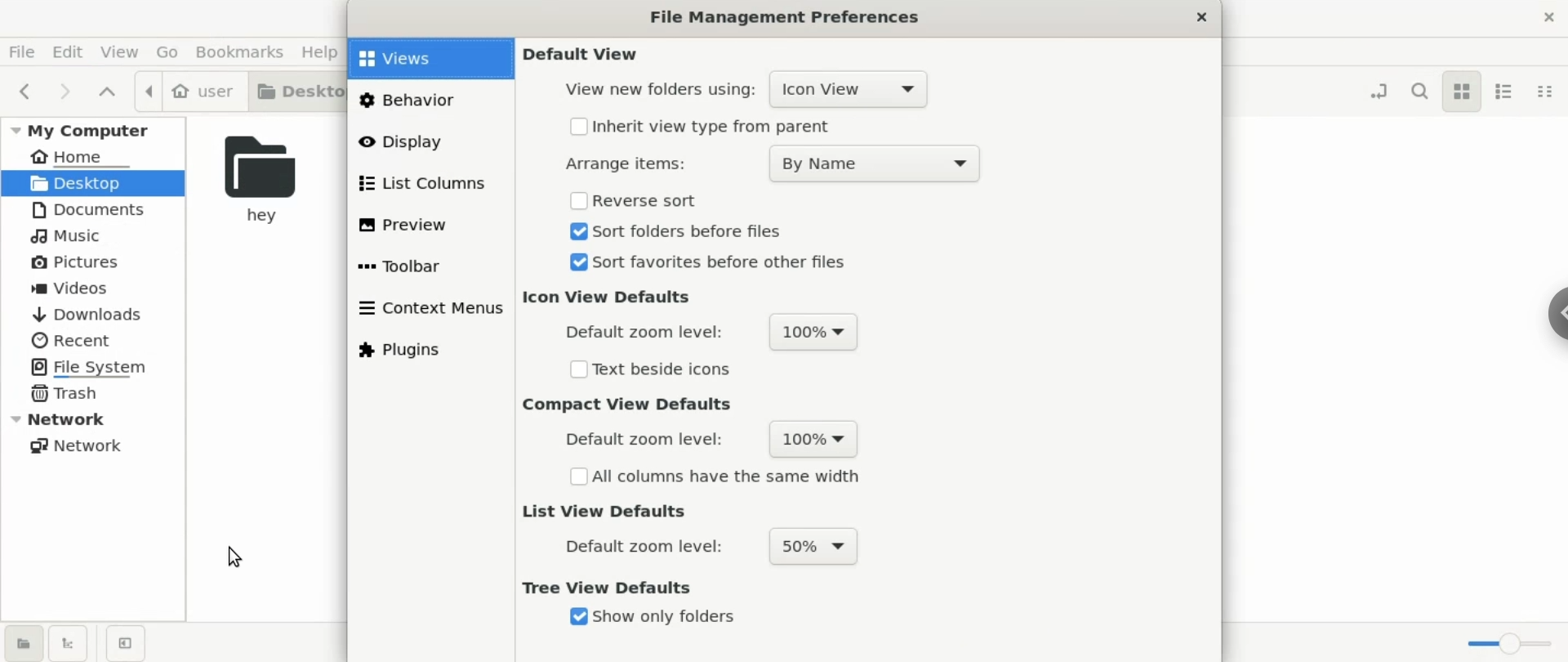 This screenshot has width=1568, height=662. Describe the element at coordinates (23, 52) in the screenshot. I see `file ` at that location.